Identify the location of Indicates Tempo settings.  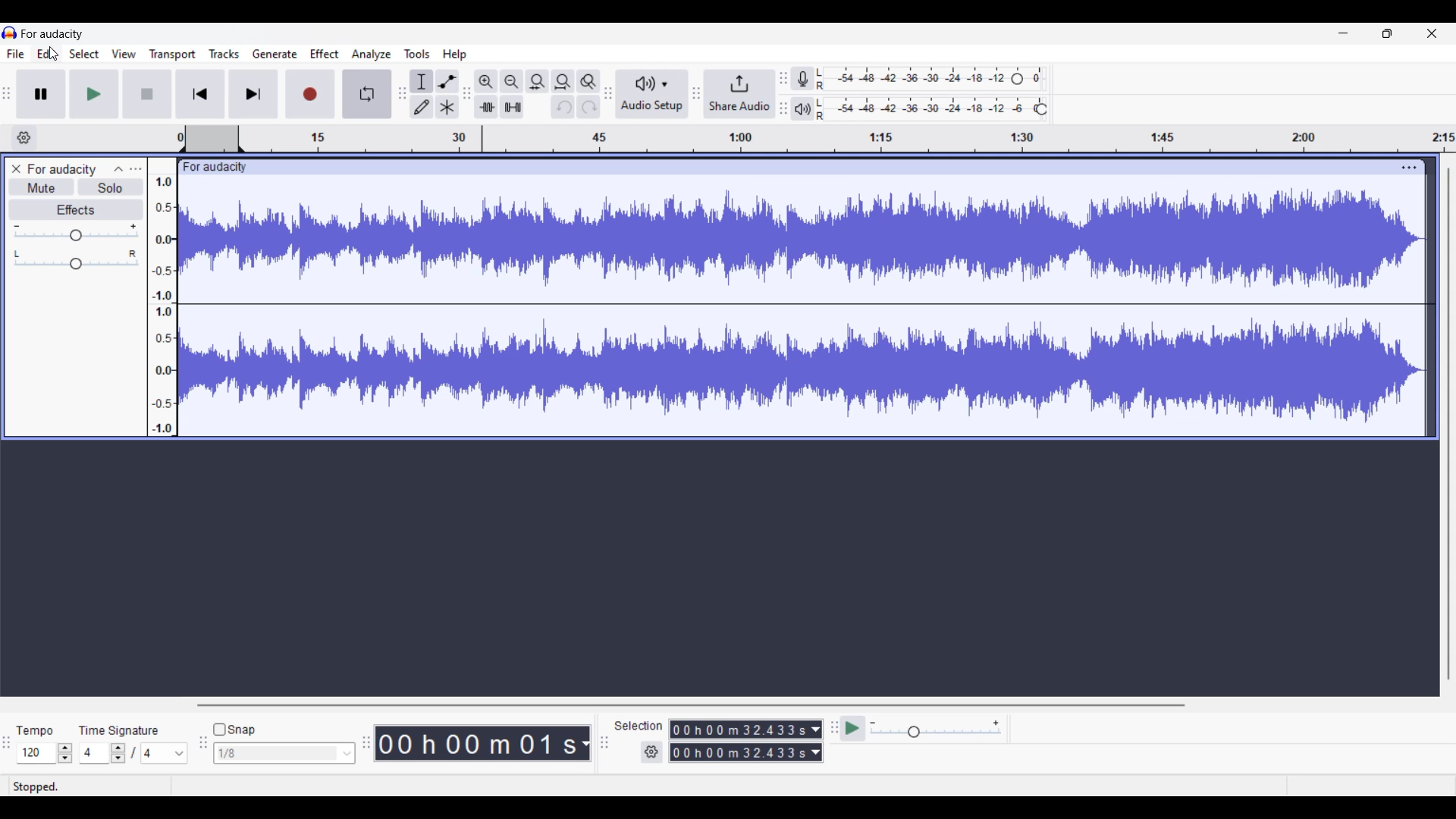
(36, 730).